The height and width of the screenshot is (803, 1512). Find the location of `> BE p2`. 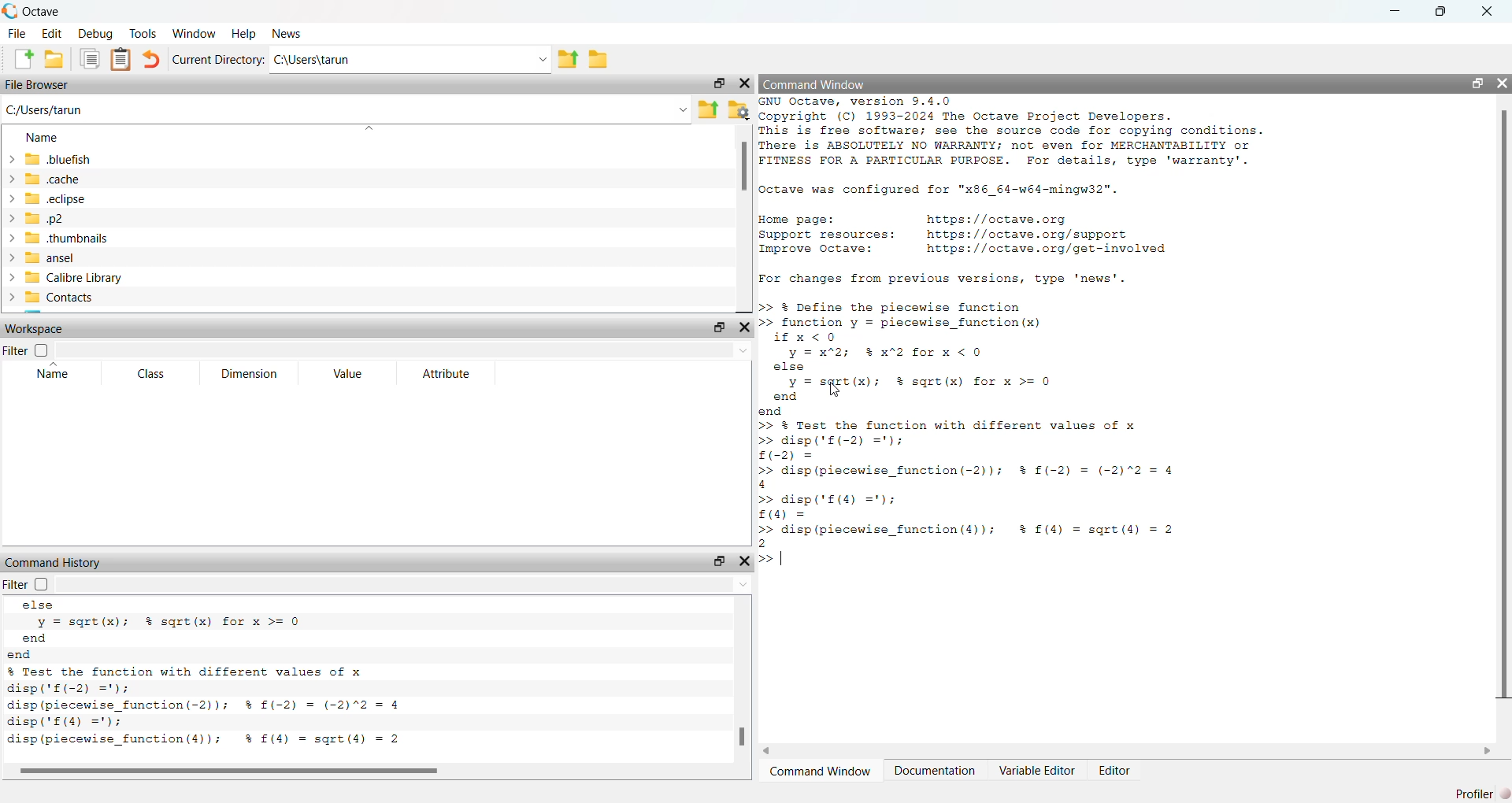

> BE p2 is located at coordinates (40, 219).